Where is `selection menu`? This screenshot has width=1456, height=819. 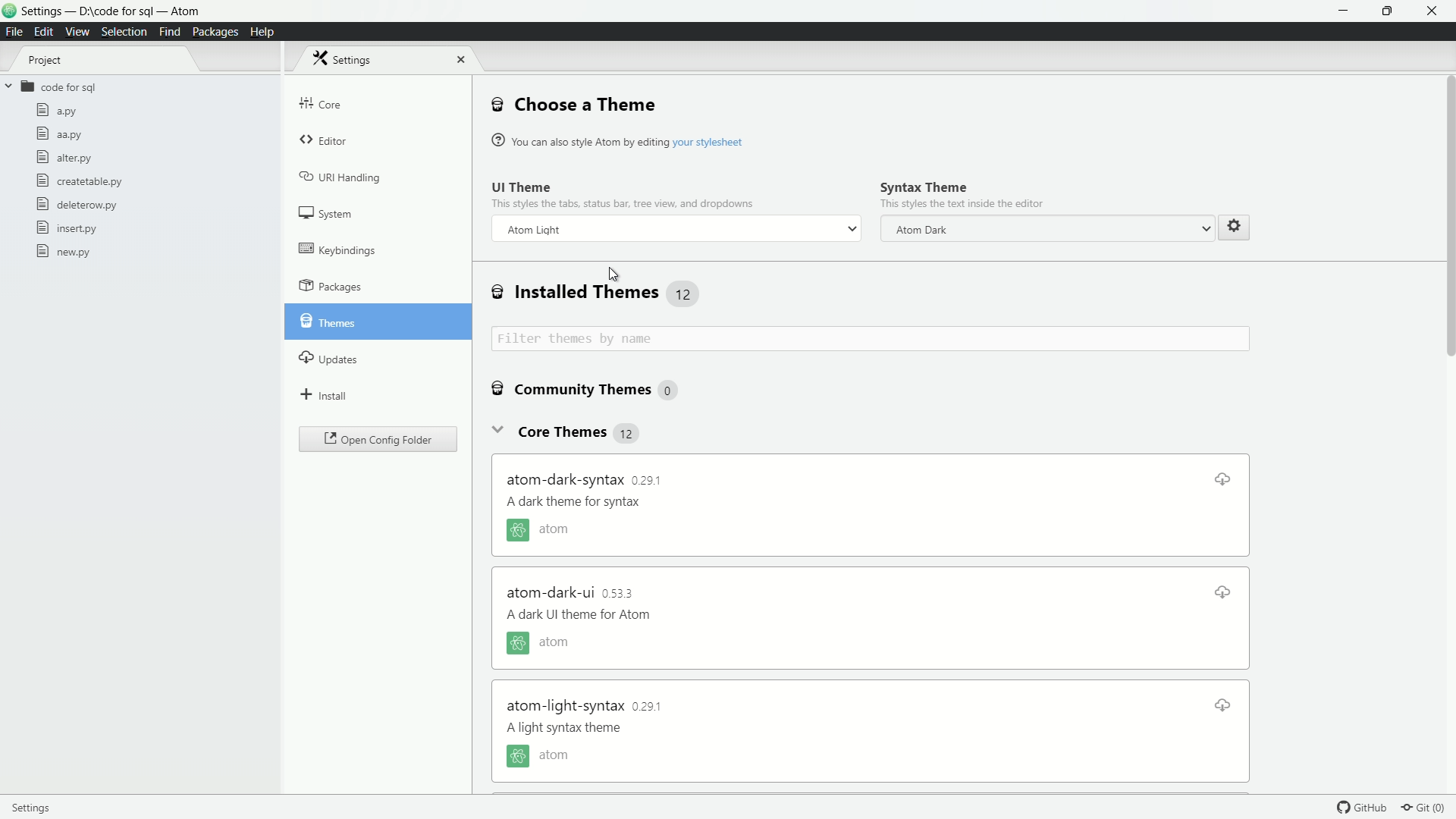 selection menu is located at coordinates (124, 32).